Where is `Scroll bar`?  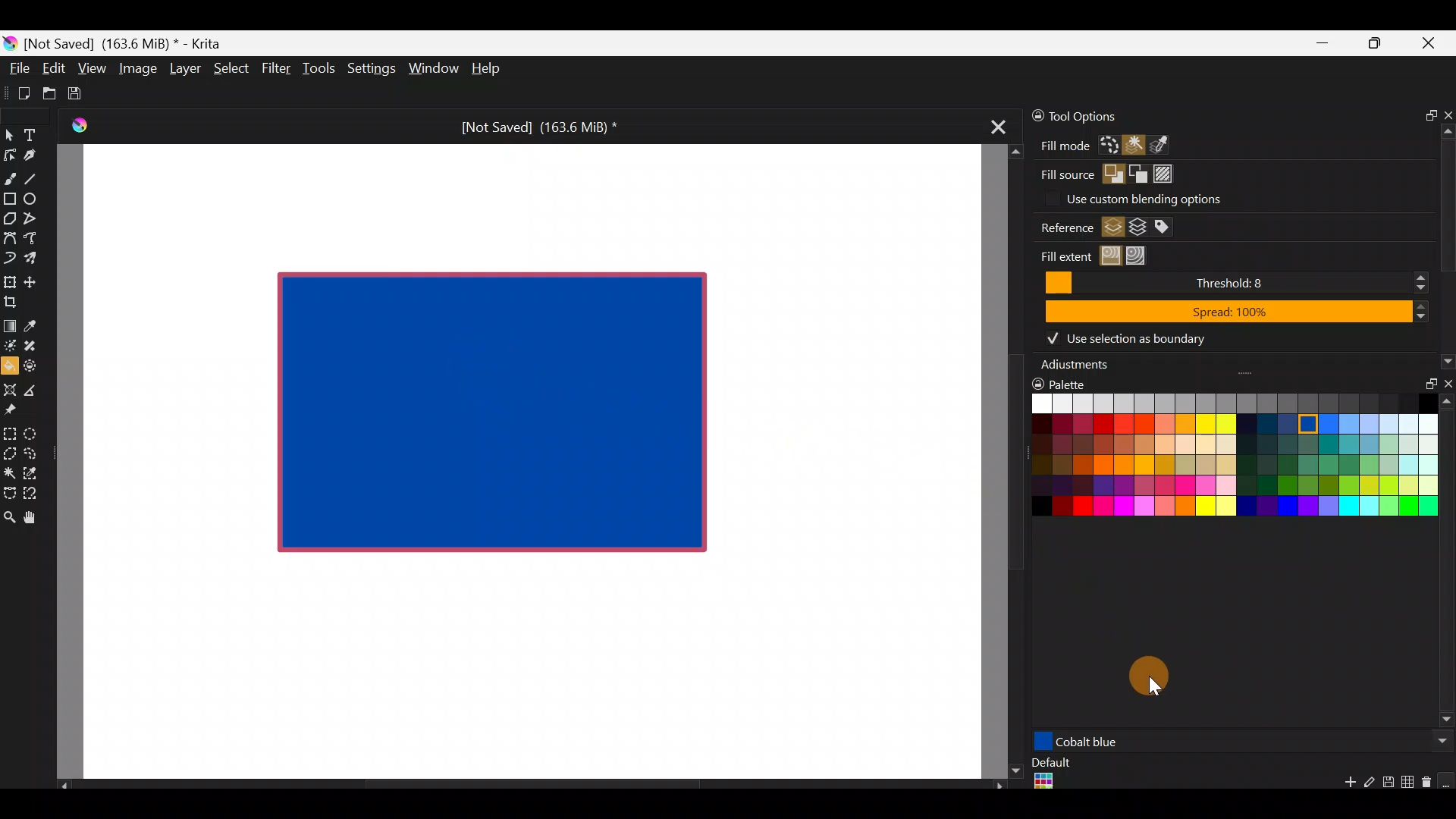
Scroll bar is located at coordinates (523, 784).